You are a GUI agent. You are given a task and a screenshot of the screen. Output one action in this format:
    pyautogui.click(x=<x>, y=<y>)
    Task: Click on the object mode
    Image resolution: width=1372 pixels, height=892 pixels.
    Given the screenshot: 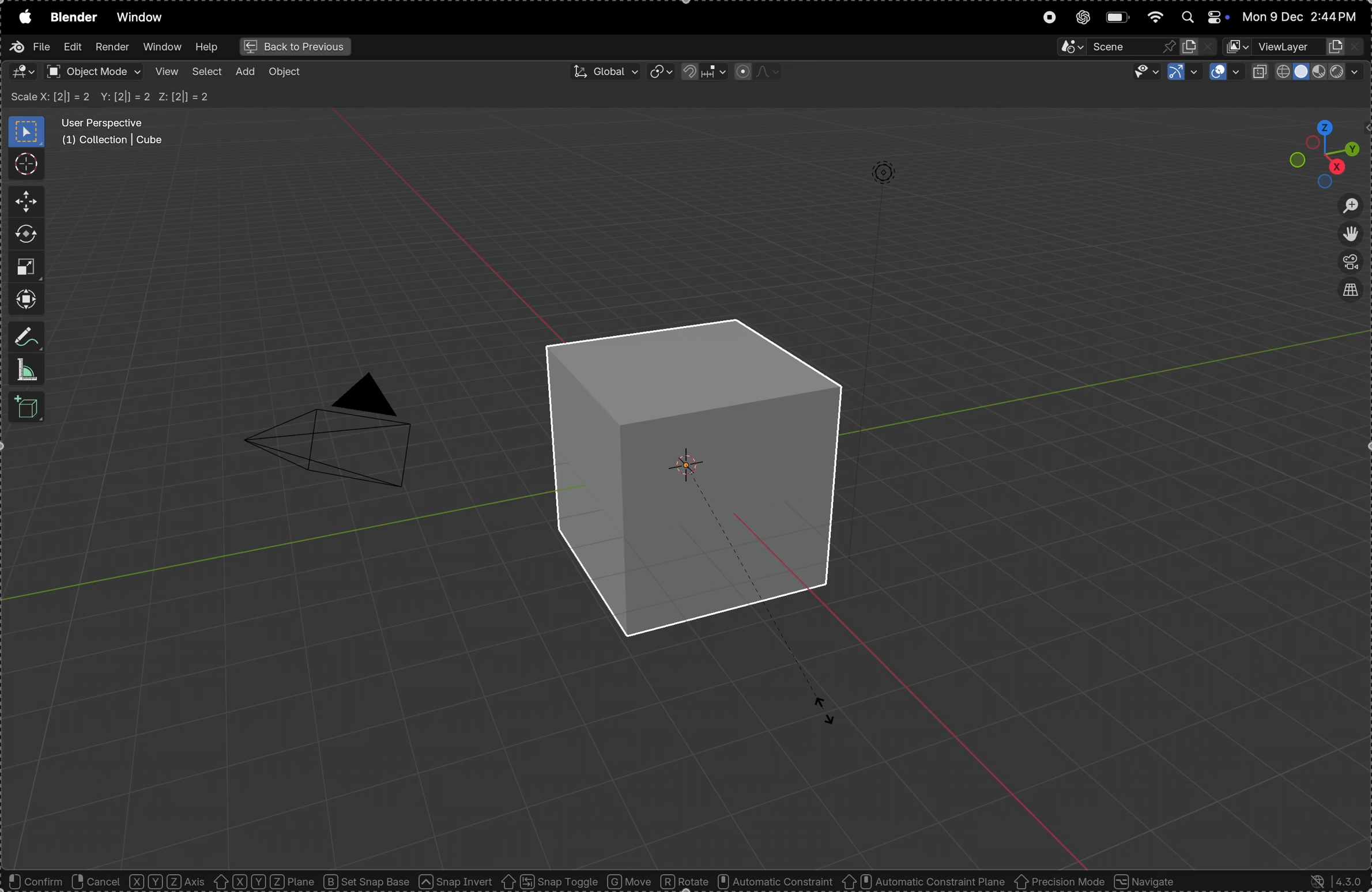 What is the action you would take?
    pyautogui.click(x=95, y=71)
    